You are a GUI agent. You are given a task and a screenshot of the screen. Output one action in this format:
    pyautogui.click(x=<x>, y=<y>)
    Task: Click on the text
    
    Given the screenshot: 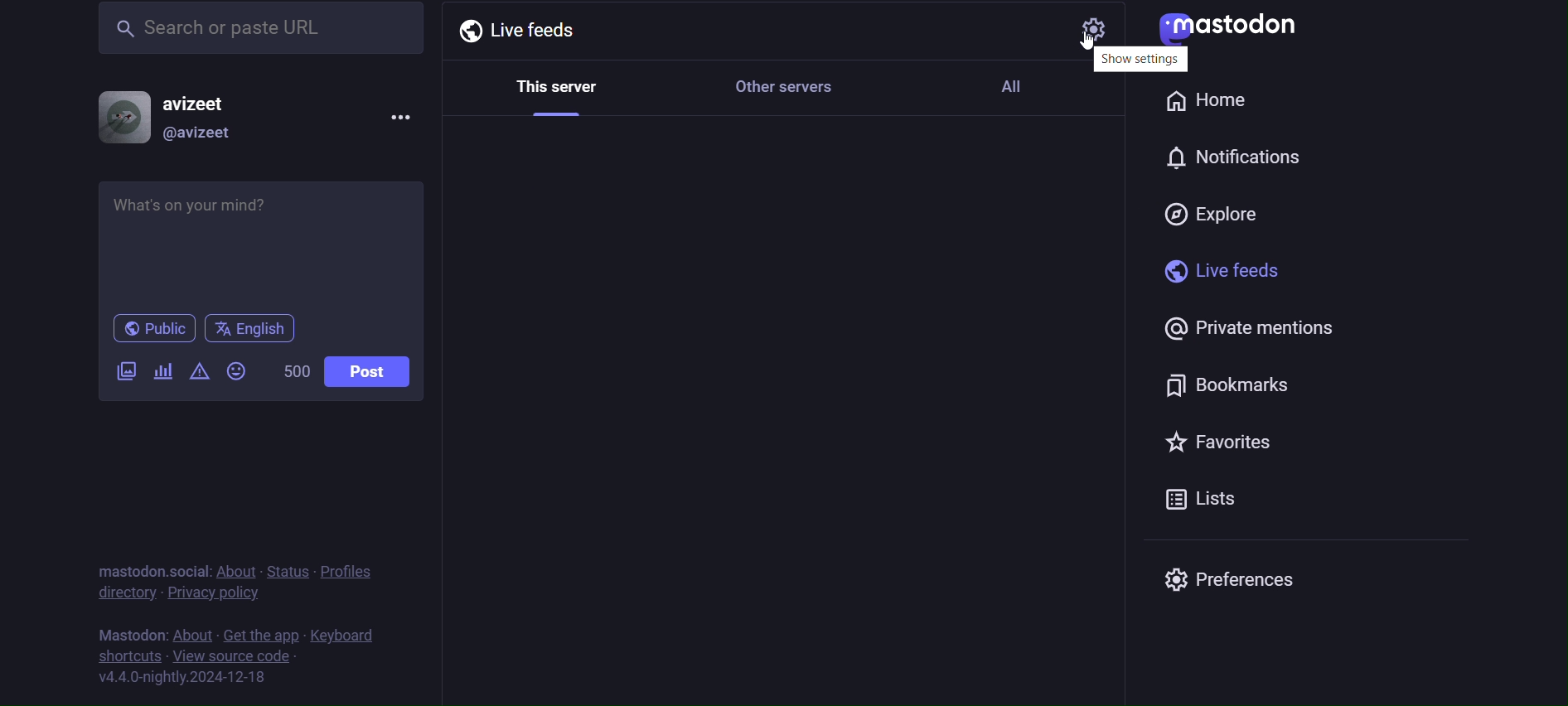 What is the action you would take?
    pyautogui.click(x=123, y=631)
    